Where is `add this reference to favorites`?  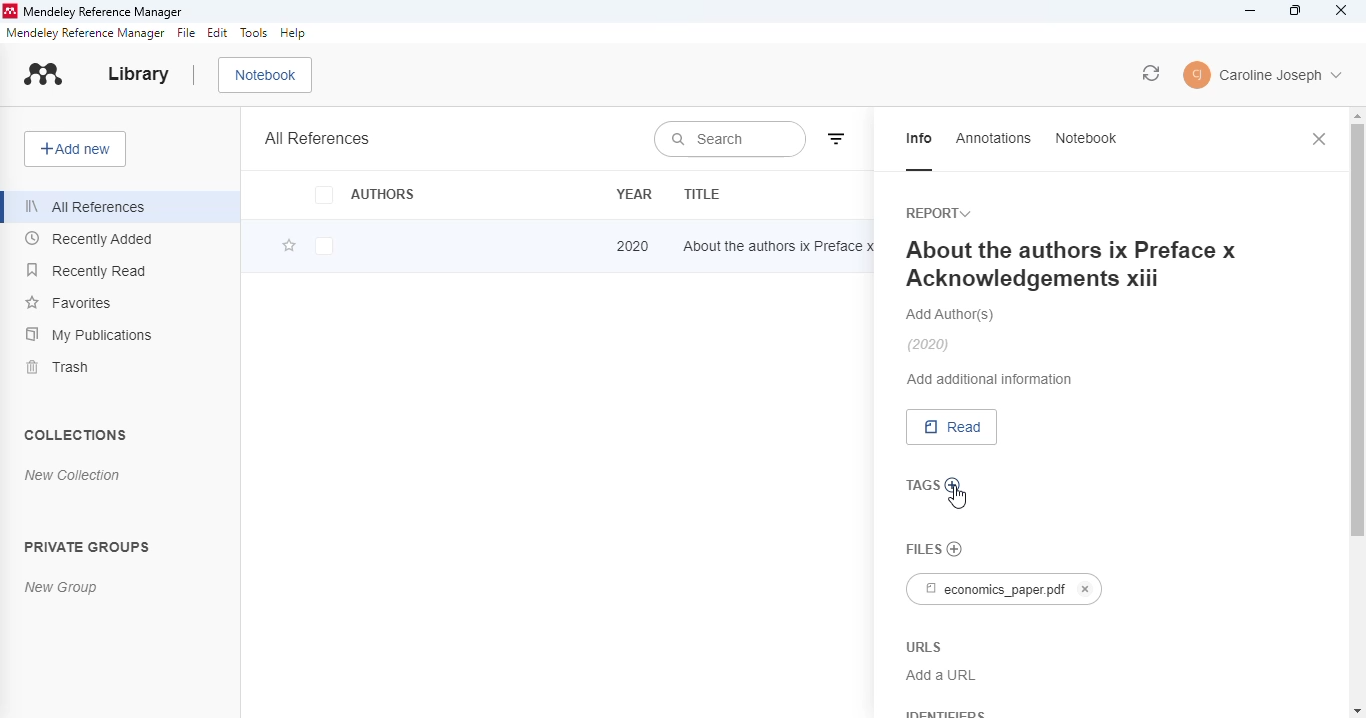 add this reference to favorites is located at coordinates (289, 246).